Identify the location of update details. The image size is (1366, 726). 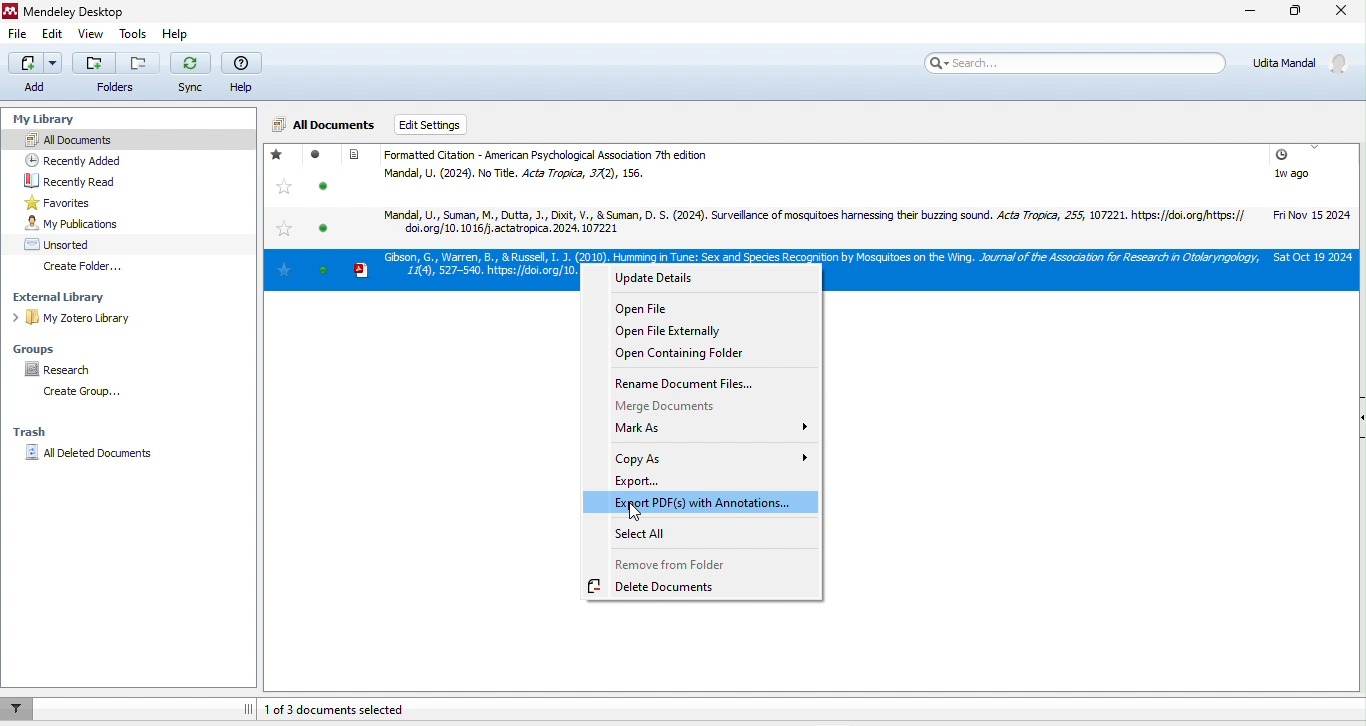
(677, 278).